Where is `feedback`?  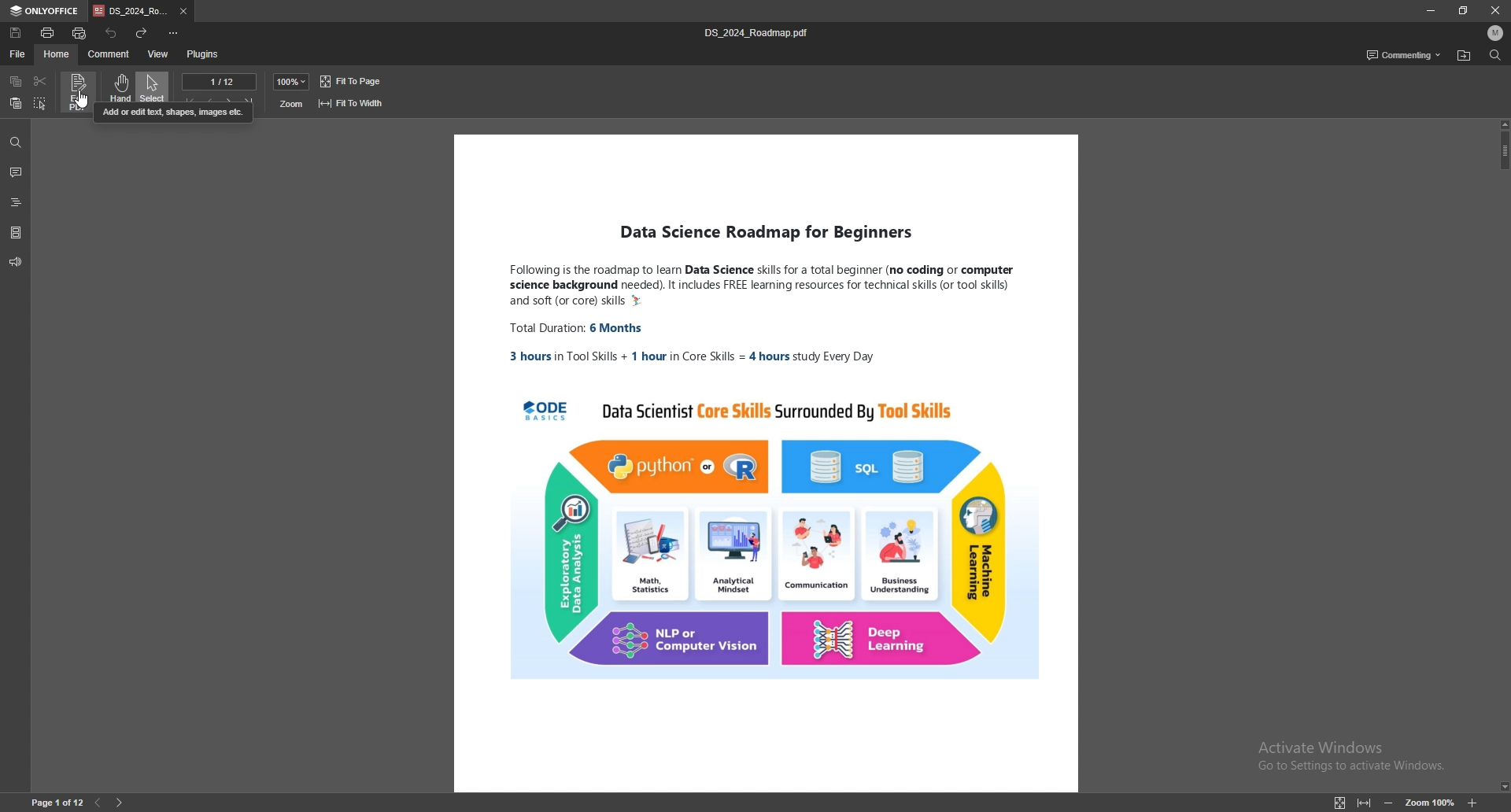 feedback is located at coordinates (16, 262).